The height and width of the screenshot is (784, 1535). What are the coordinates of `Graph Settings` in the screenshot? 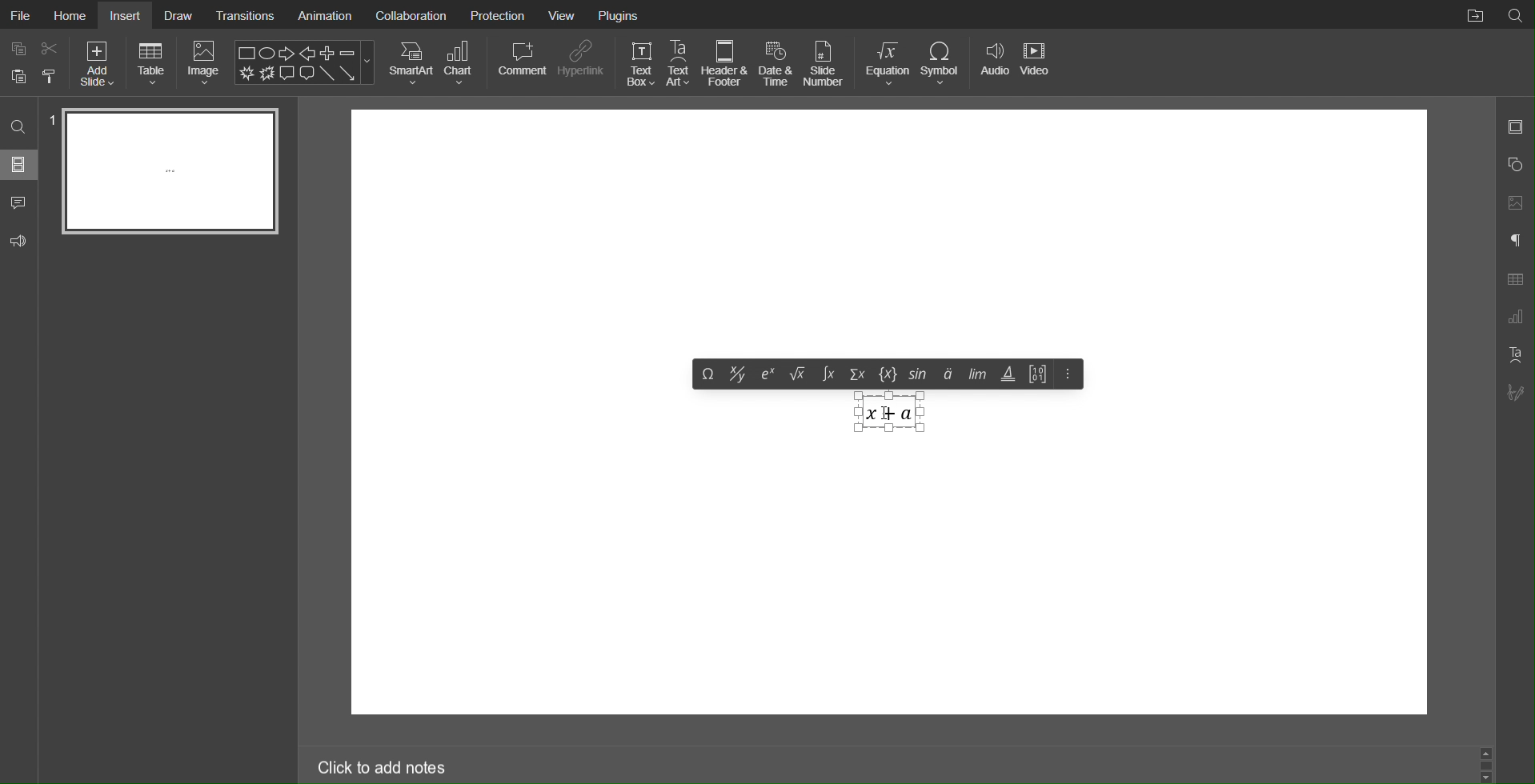 It's located at (1514, 318).